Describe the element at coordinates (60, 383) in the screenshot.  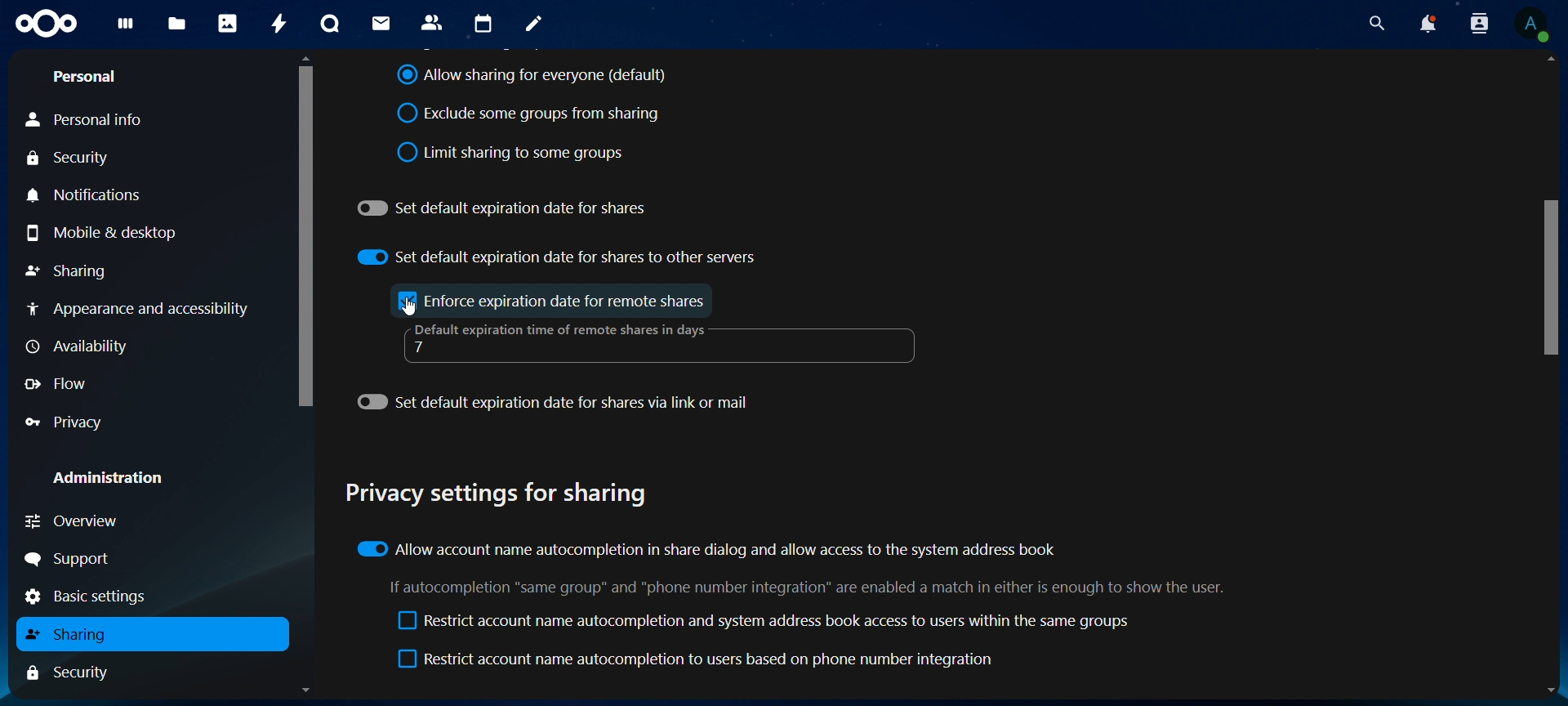
I see `flow` at that location.